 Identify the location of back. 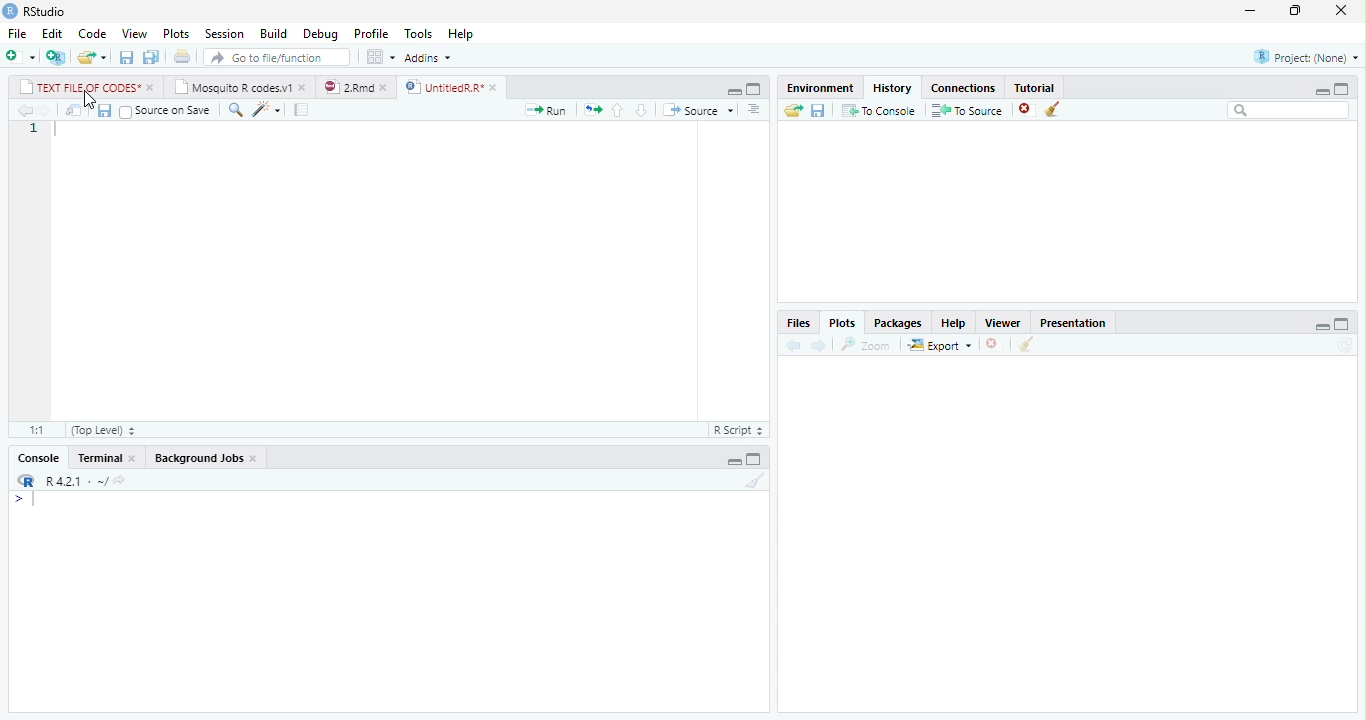
(26, 111).